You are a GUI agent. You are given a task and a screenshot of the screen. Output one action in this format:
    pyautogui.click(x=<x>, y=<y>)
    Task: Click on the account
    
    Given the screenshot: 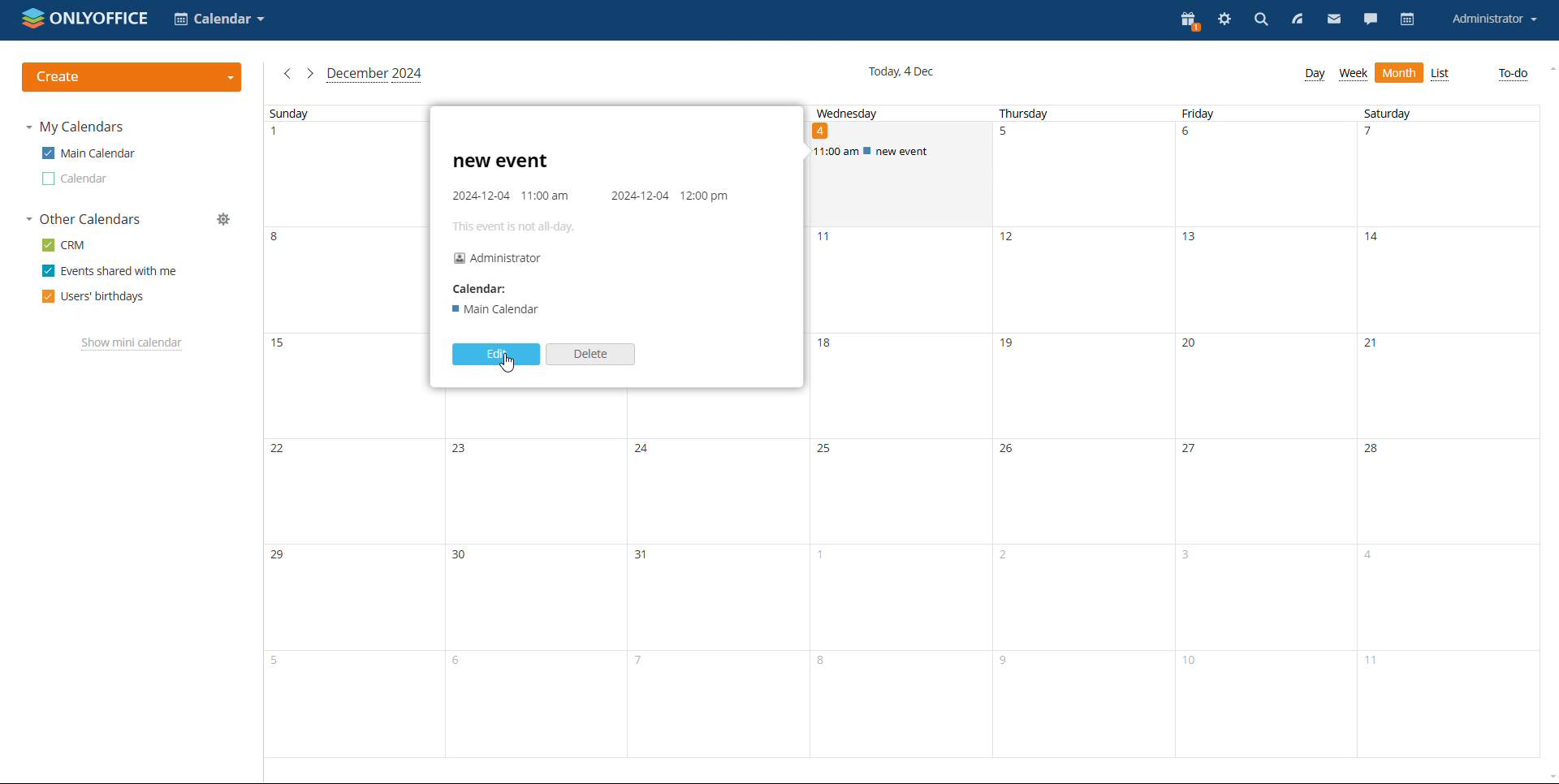 What is the action you would take?
    pyautogui.click(x=1493, y=19)
    